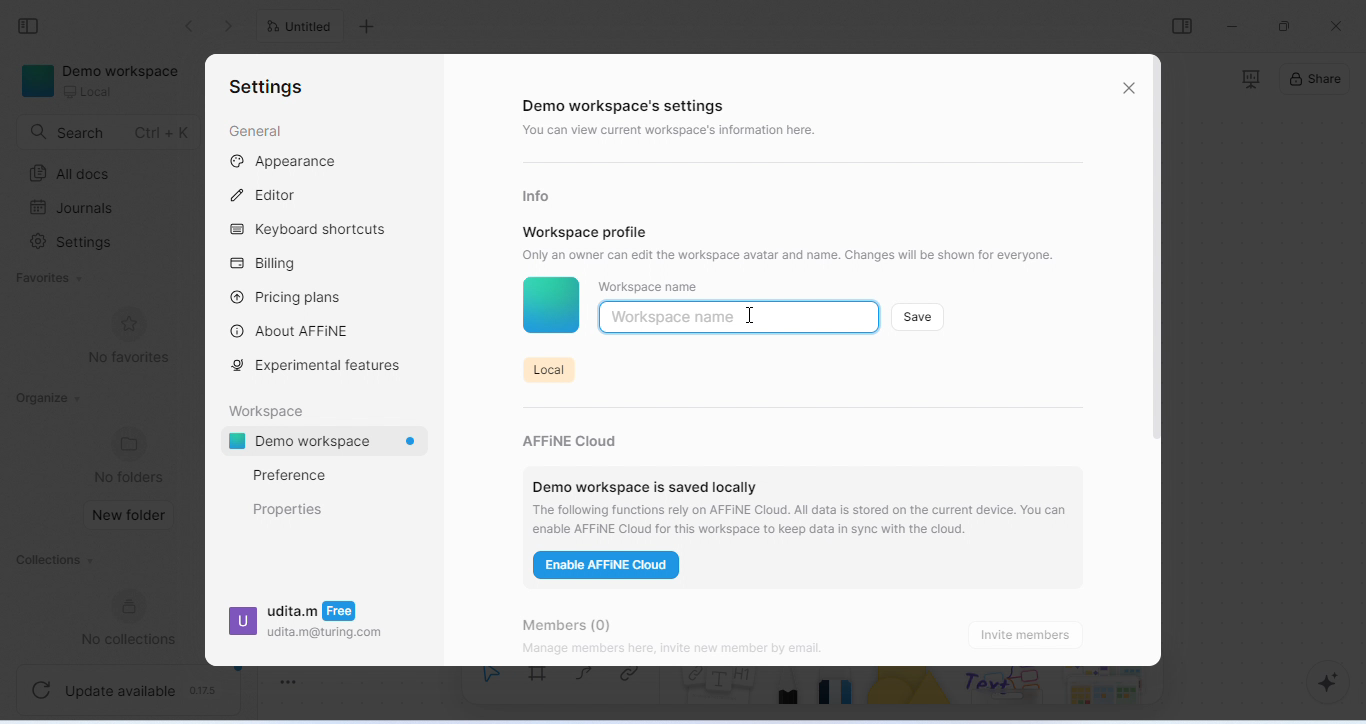 The image size is (1366, 724). Describe the element at coordinates (266, 88) in the screenshot. I see `settings` at that location.